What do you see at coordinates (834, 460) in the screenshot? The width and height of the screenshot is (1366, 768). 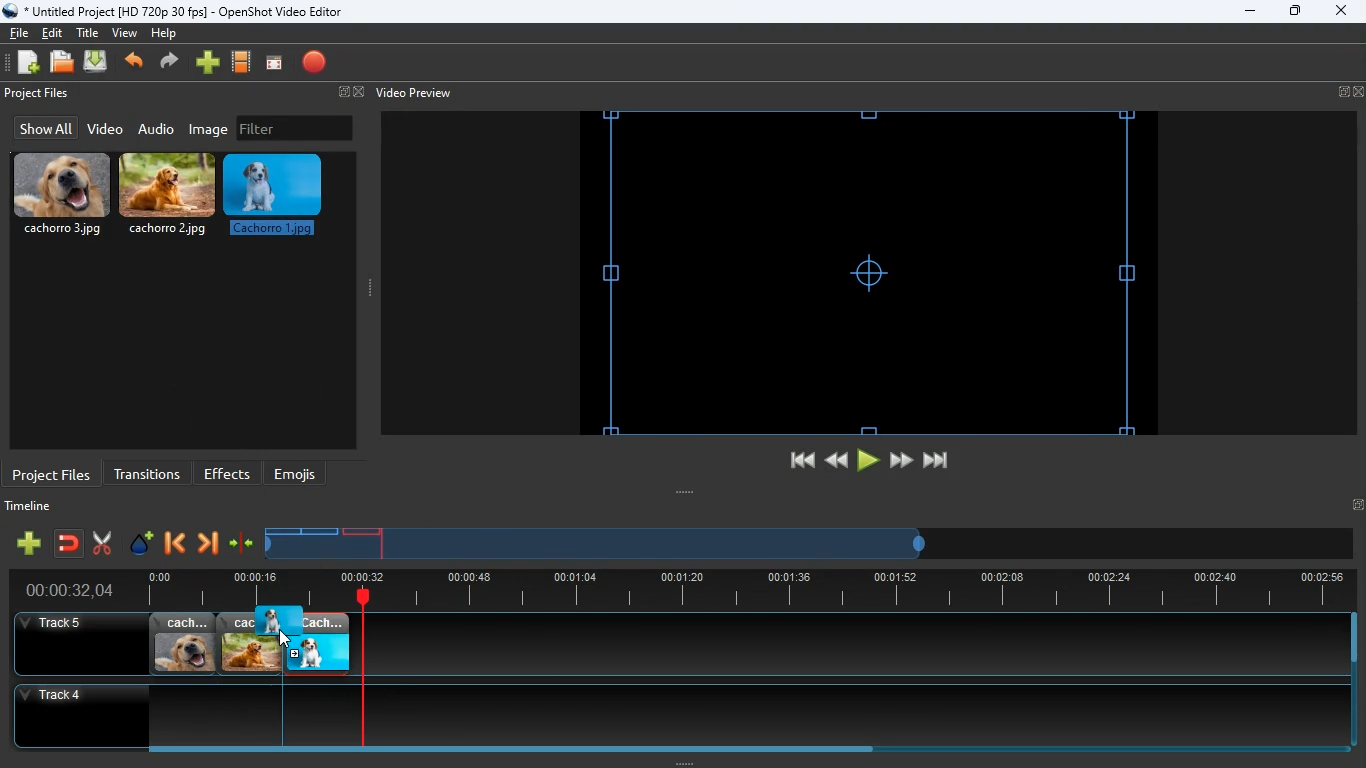 I see `back` at bounding box center [834, 460].